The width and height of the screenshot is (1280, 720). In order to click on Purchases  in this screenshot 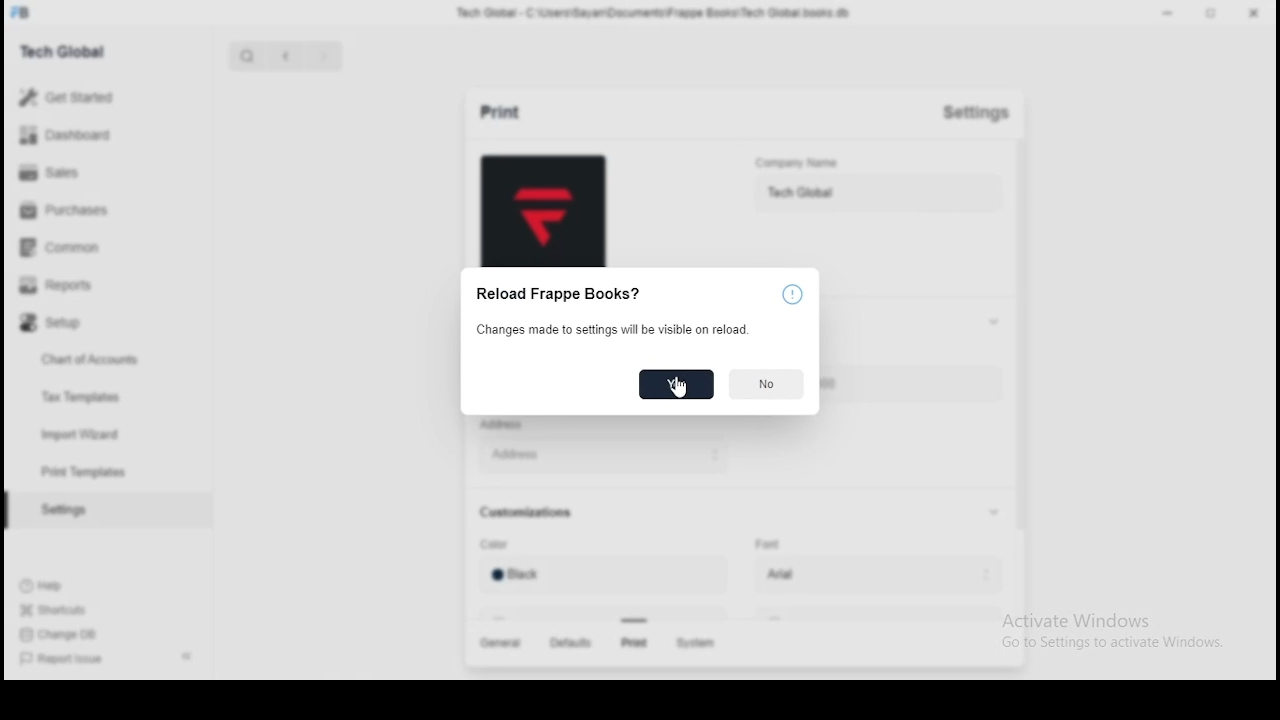, I will do `click(80, 214)`.